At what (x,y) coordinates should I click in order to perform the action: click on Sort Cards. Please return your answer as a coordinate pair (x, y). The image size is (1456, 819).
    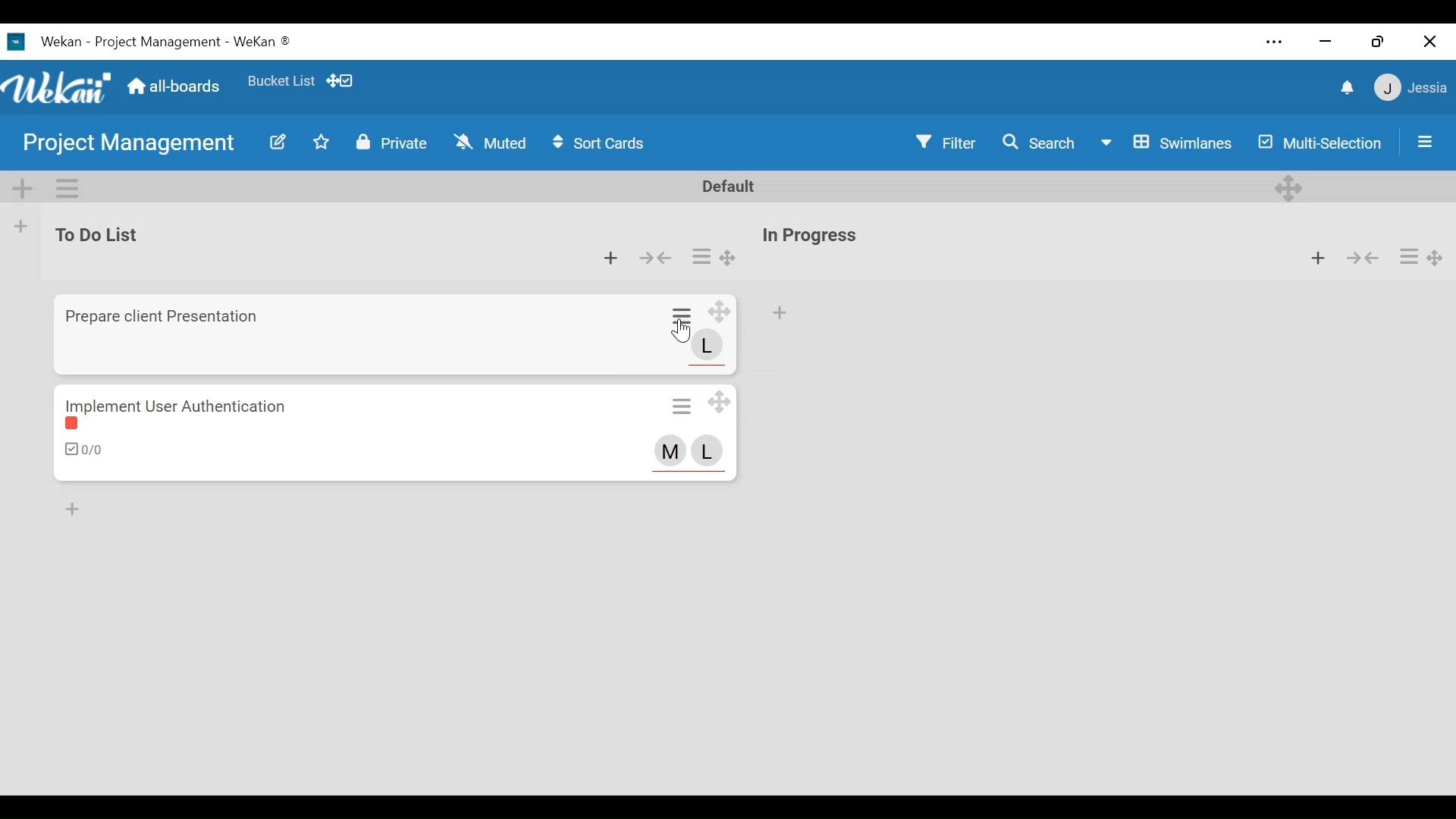
    Looking at the image, I should click on (601, 143).